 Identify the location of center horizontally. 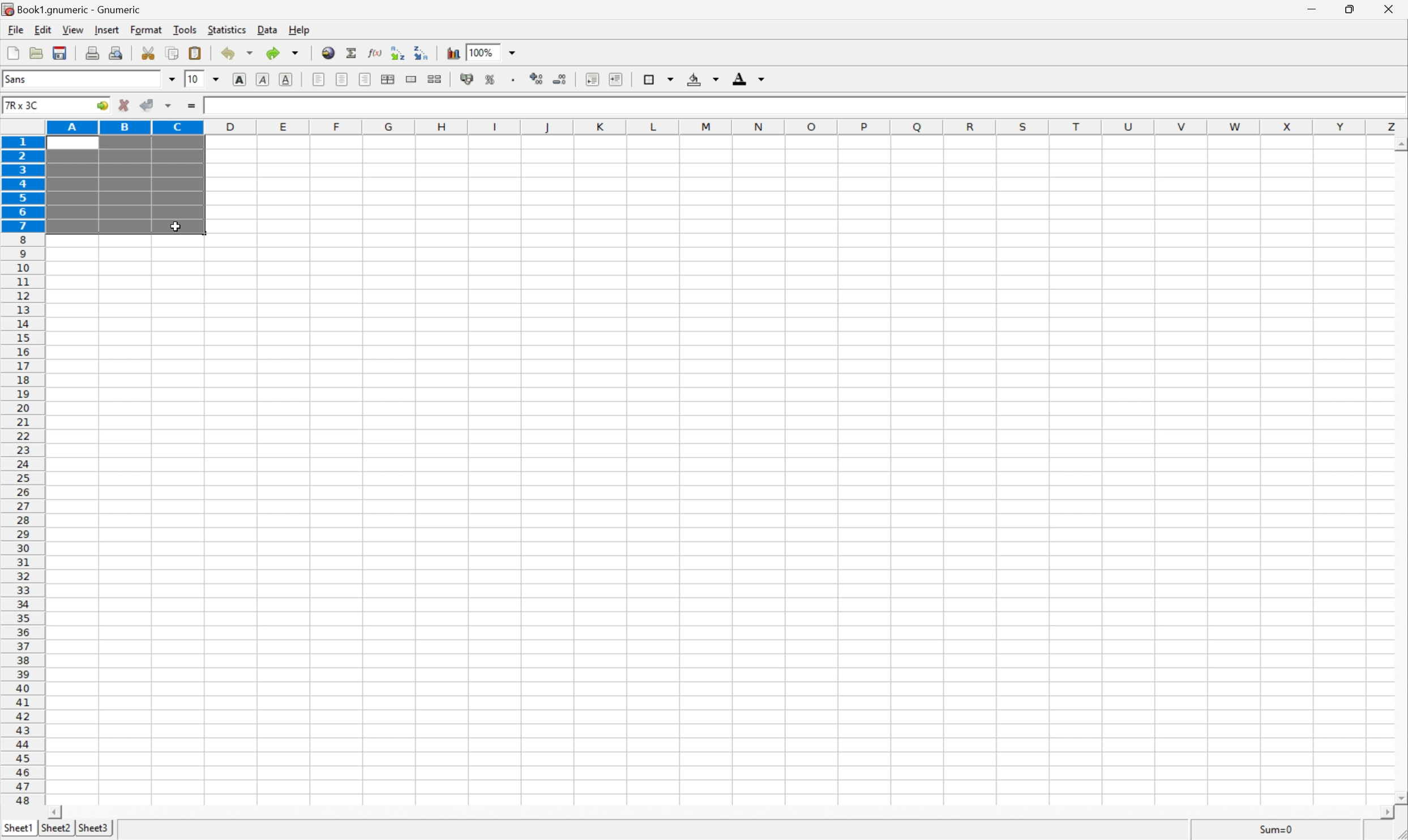
(390, 79).